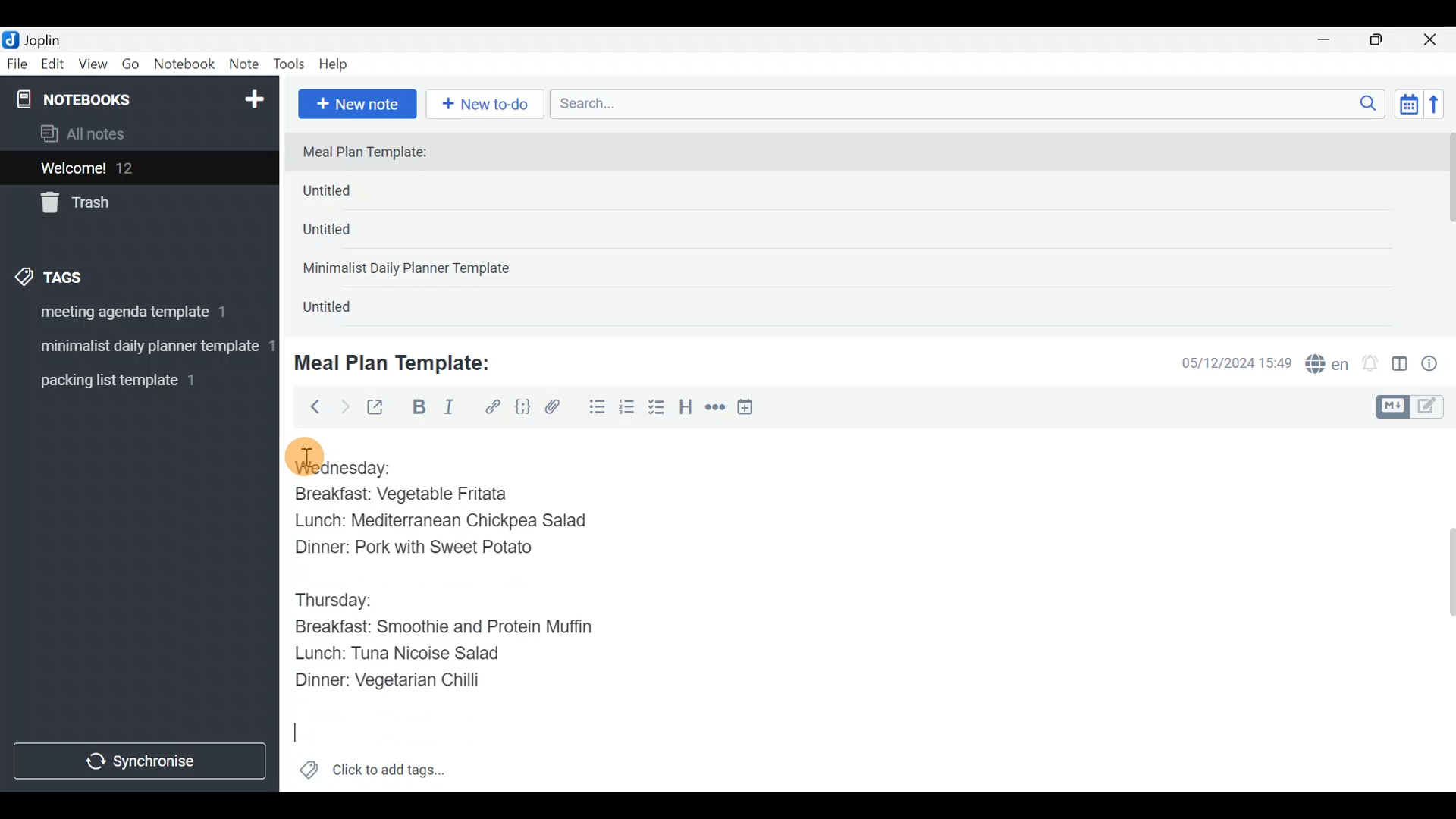 Image resolution: width=1456 pixels, height=819 pixels. Describe the element at coordinates (411, 270) in the screenshot. I see `Minimalist Daily Planner Template` at that location.